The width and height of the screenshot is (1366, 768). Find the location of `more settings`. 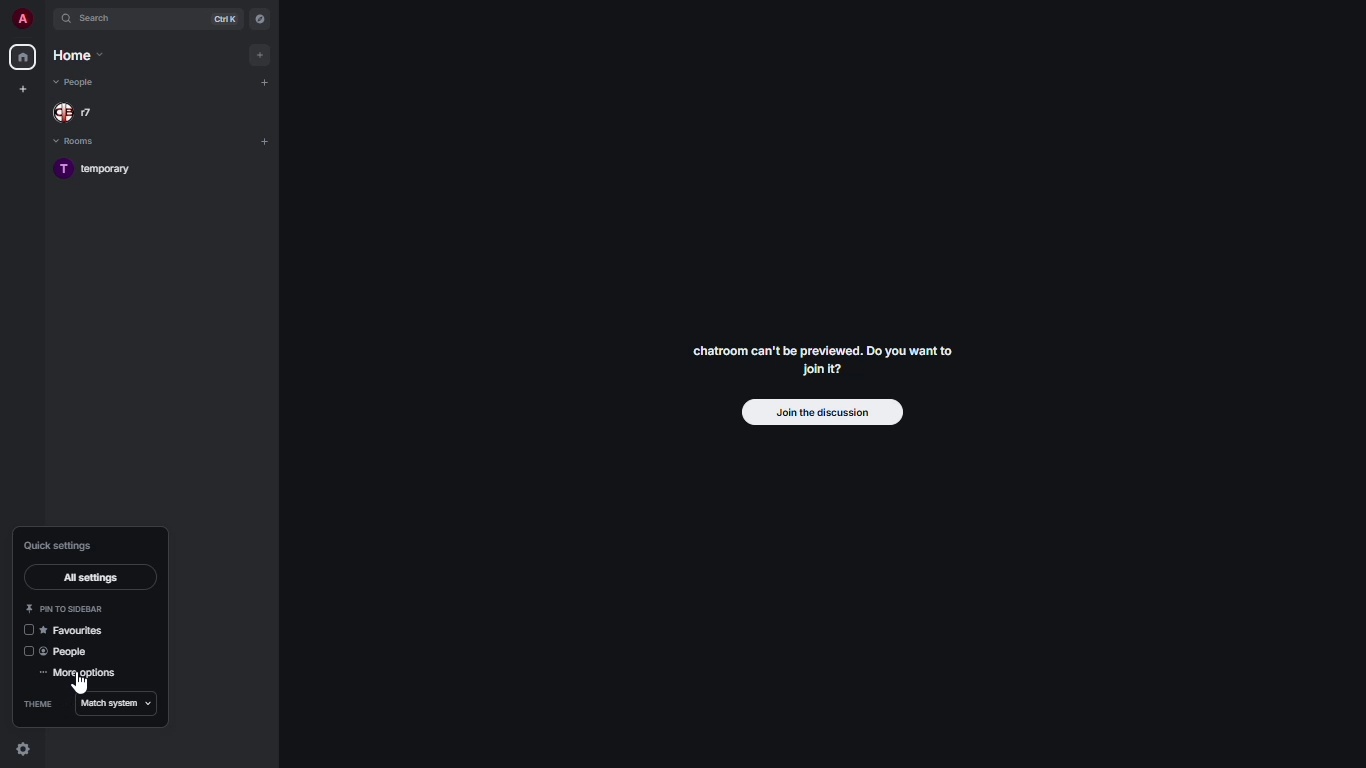

more settings is located at coordinates (82, 674).